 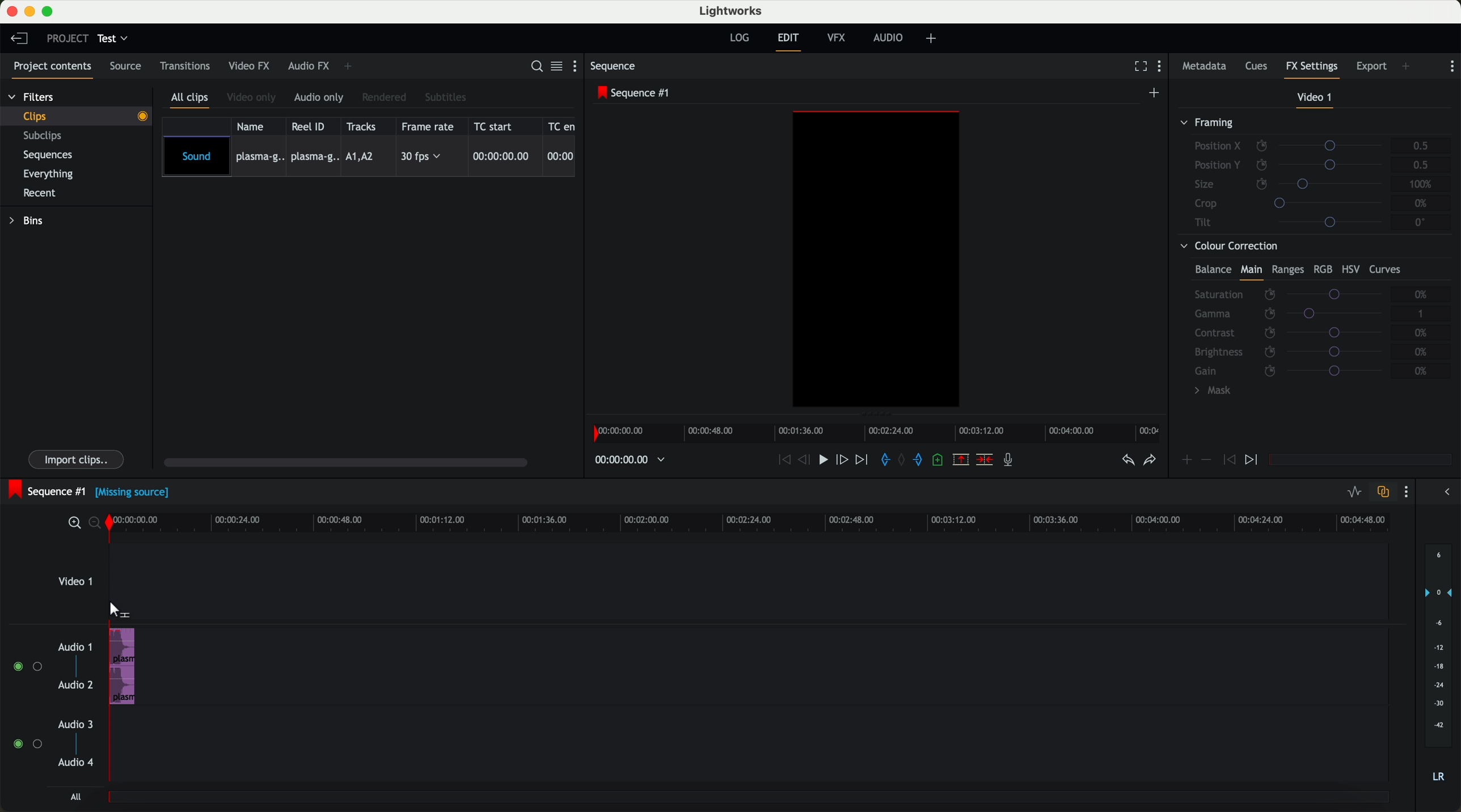 What do you see at coordinates (826, 461) in the screenshot?
I see `play` at bounding box center [826, 461].